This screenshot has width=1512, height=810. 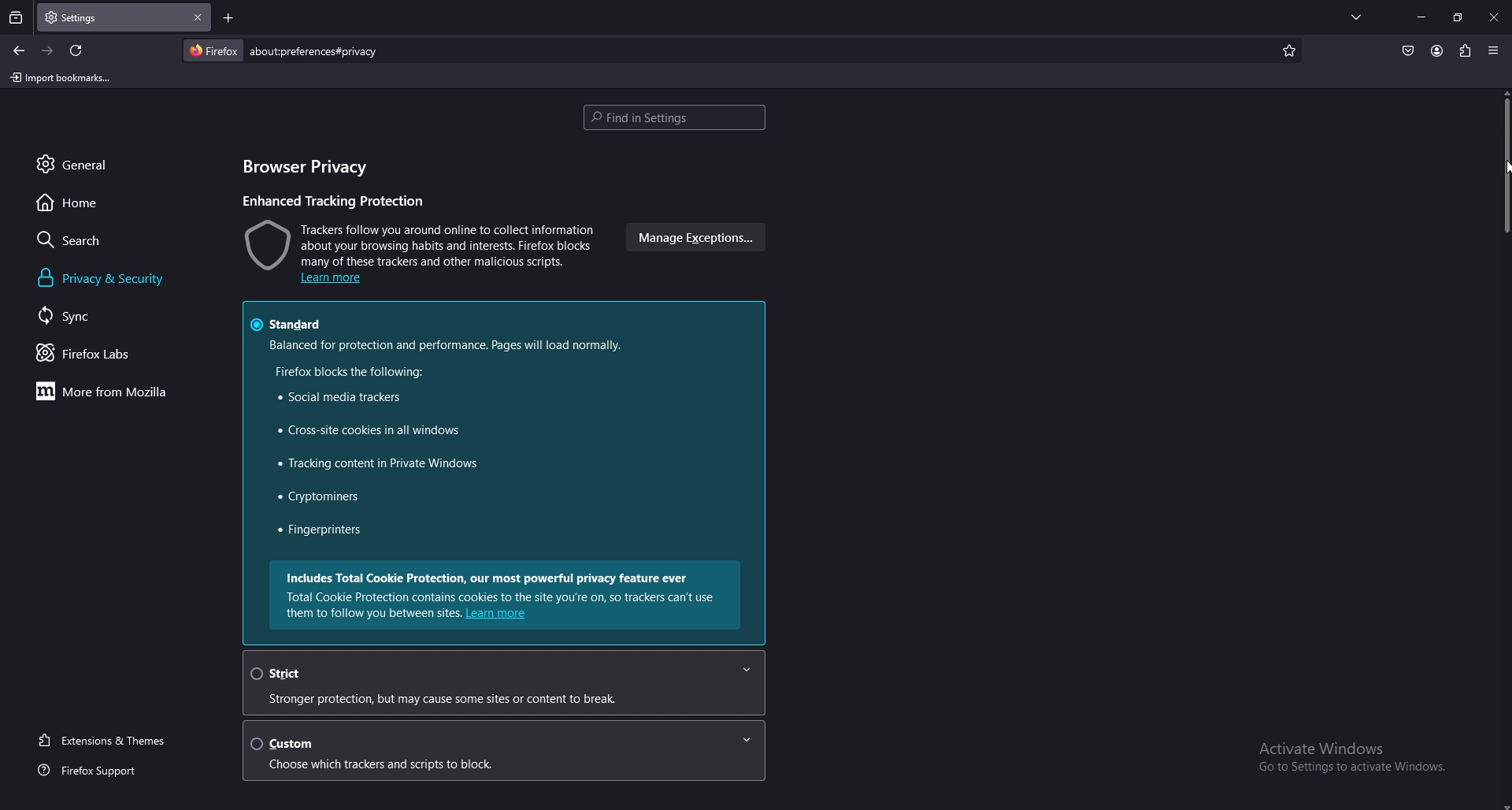 I want to click on minimize, so click(x=1423, y=17).